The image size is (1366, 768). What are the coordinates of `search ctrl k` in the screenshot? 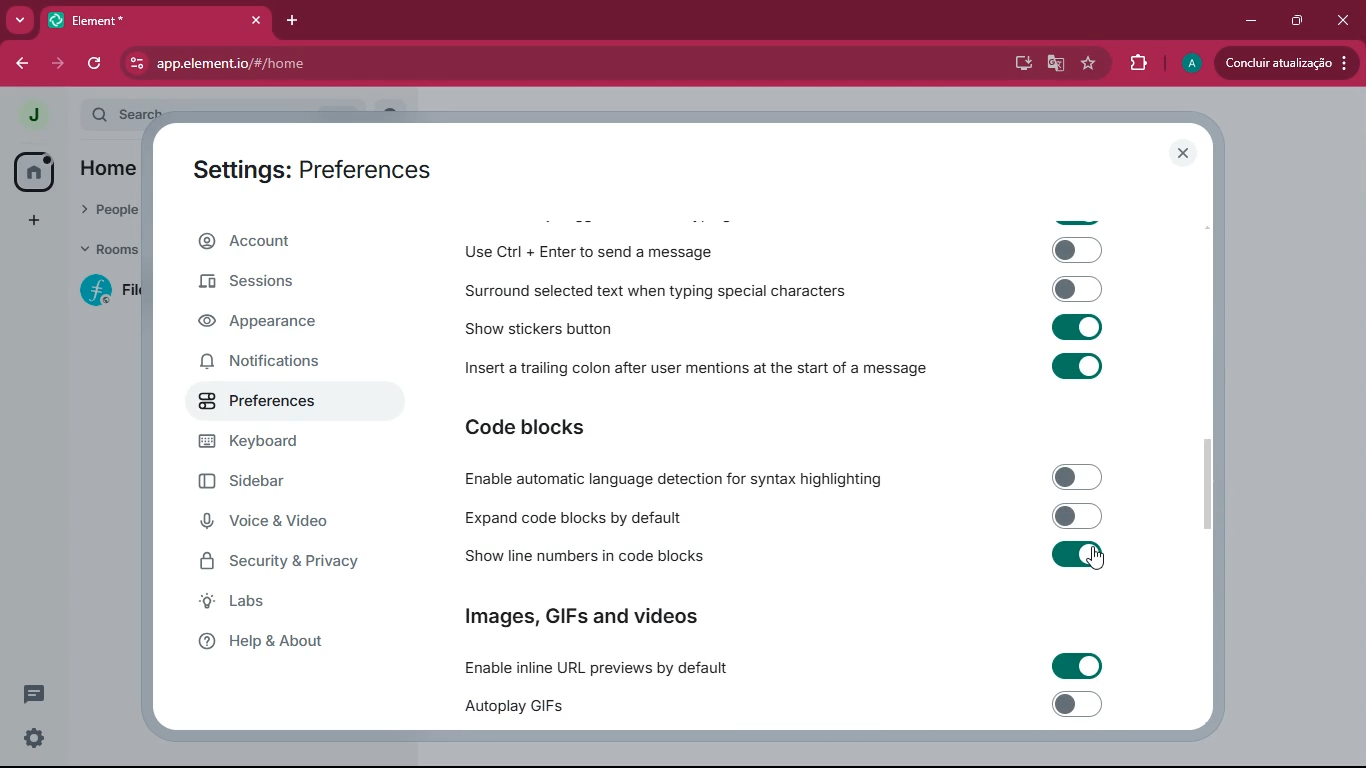 It's located at (234, 115).